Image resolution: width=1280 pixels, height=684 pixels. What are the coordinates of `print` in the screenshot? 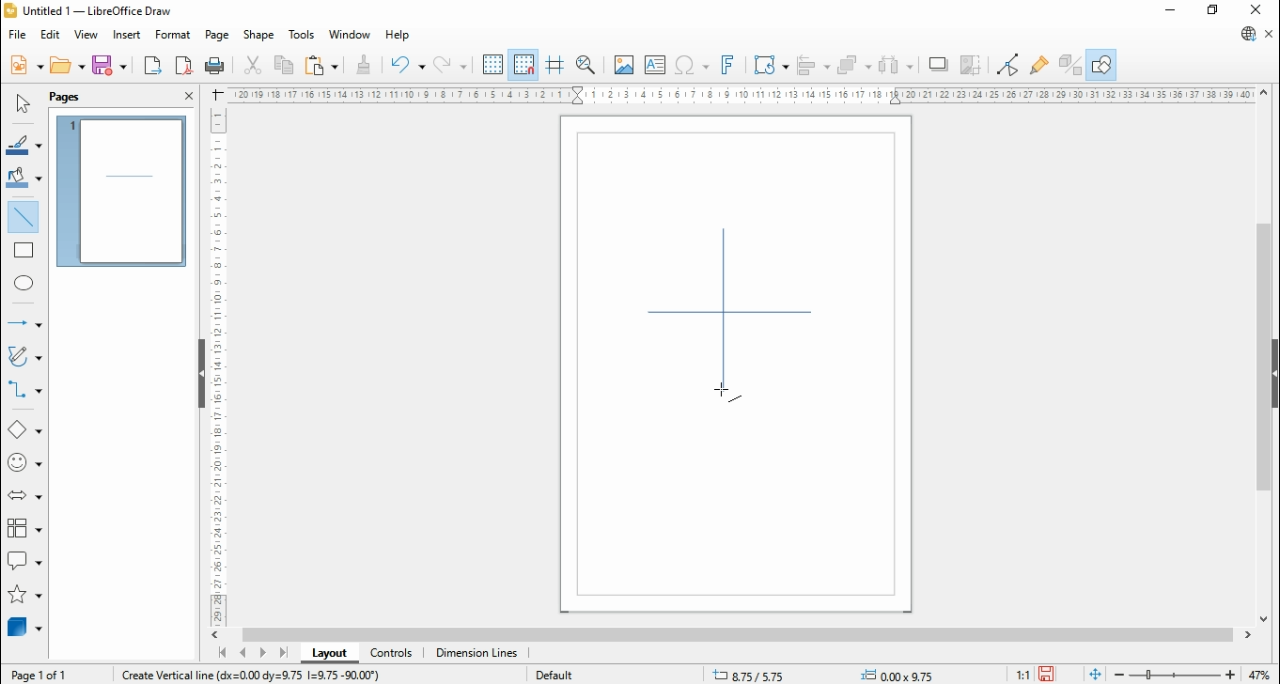 It's located at (218, 67).